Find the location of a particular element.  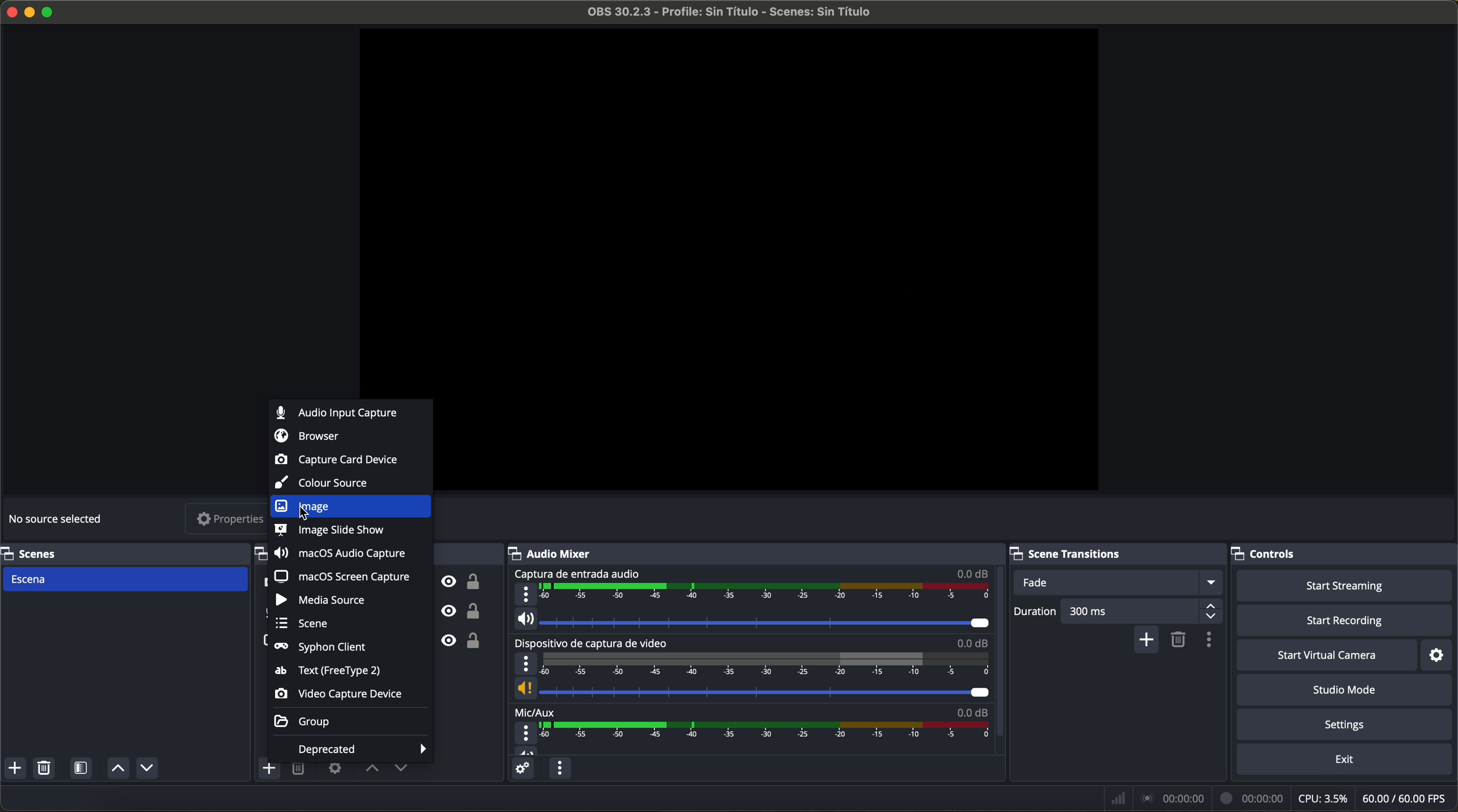

minimize program is located at coordinates (30, 12).